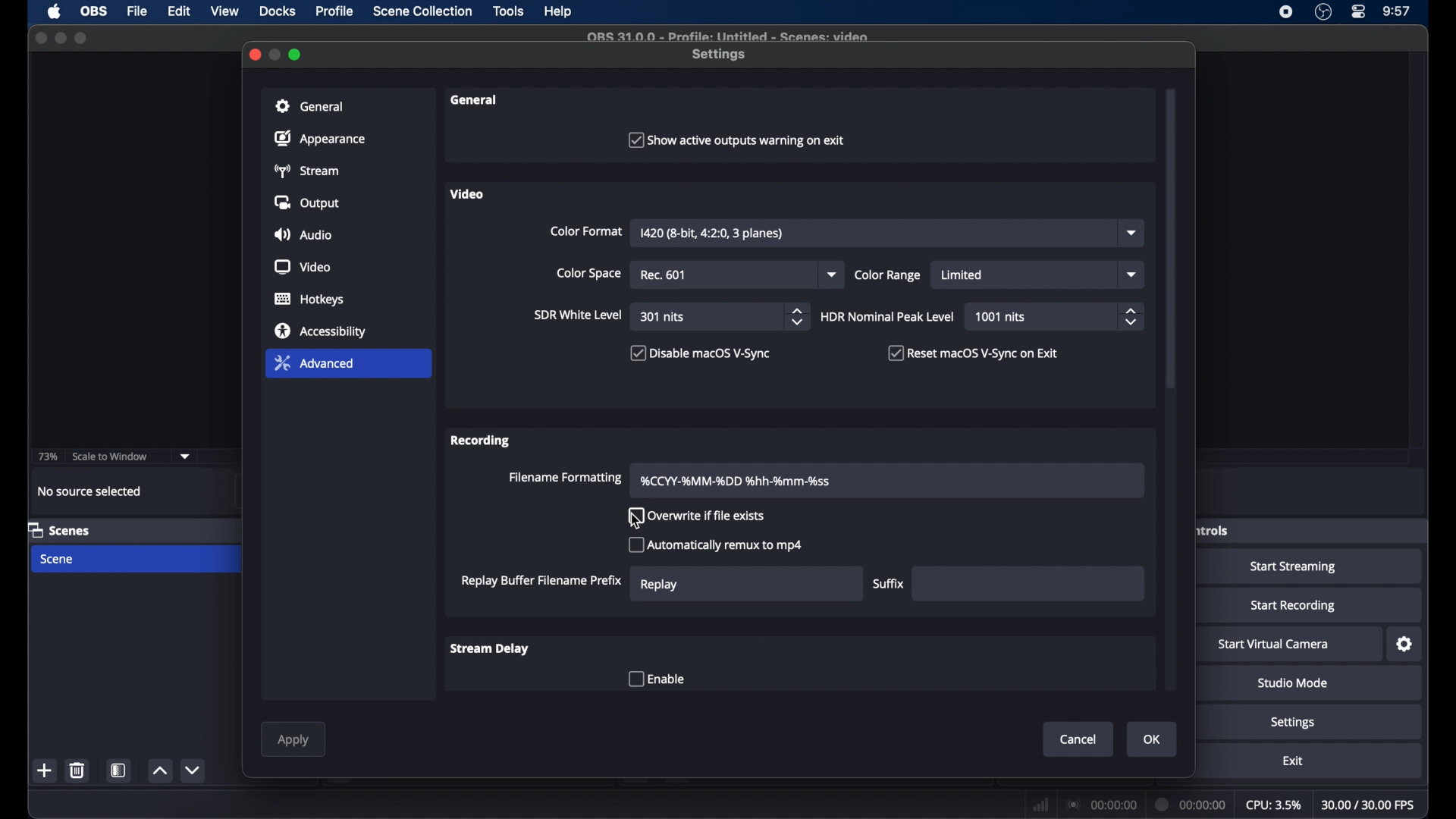 The image size is (1456, 819). What do you see at coordinates (1131, 233) in the screenshot?
I see `dropdown` at bounding box center [1131, 233].